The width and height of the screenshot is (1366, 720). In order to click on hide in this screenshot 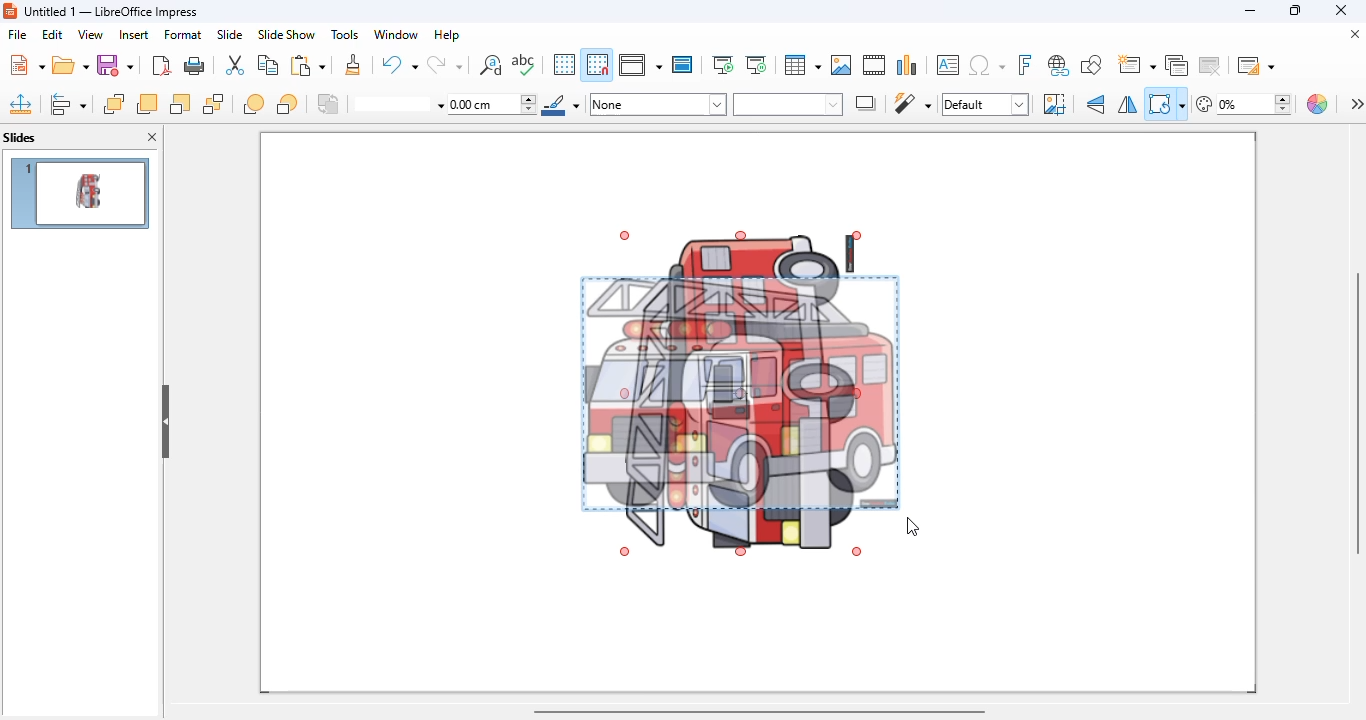, I will do `click(165, 422)`.